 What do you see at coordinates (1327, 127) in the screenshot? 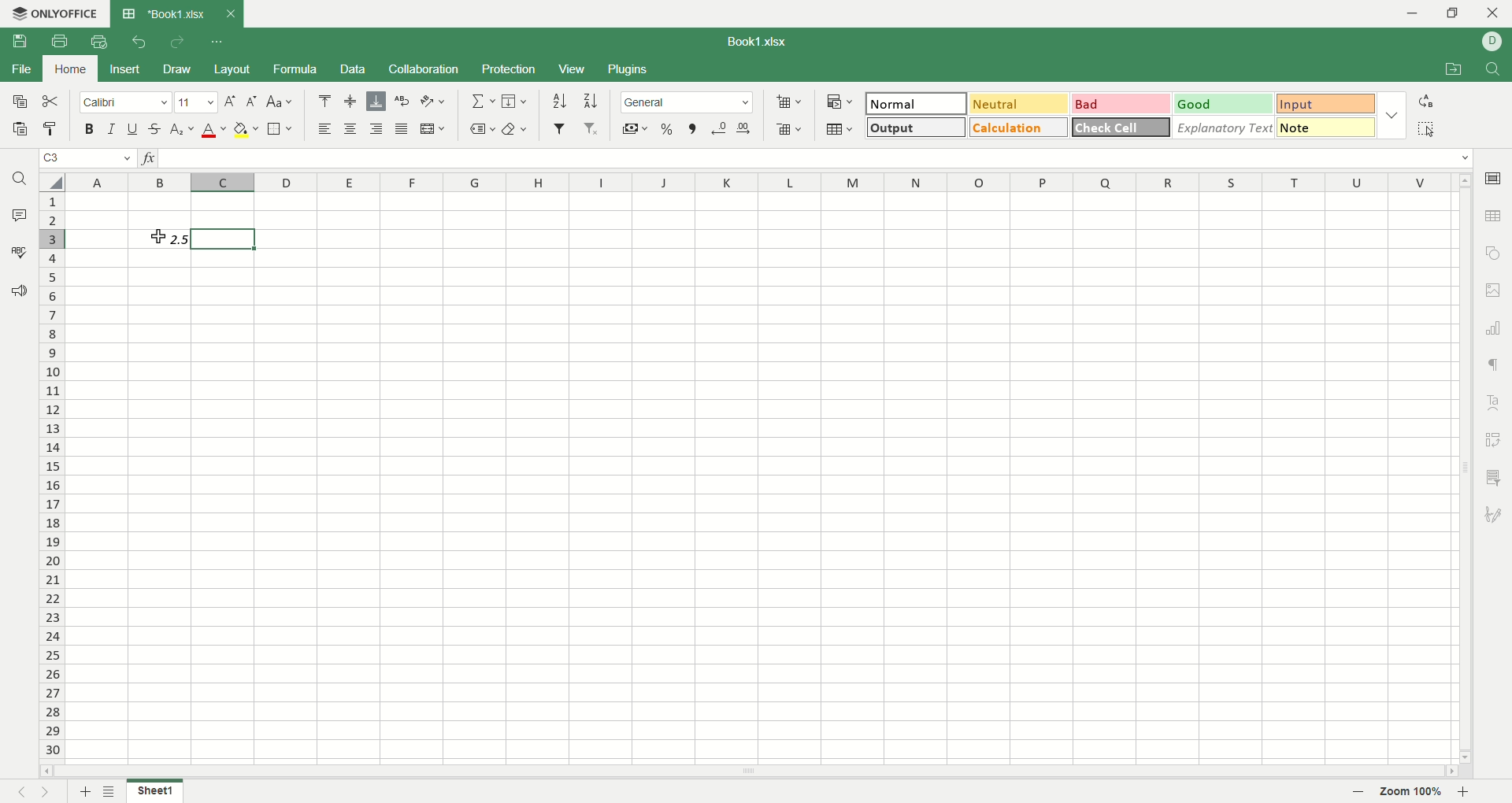
I see `input` at bounding box center [1327, 127].